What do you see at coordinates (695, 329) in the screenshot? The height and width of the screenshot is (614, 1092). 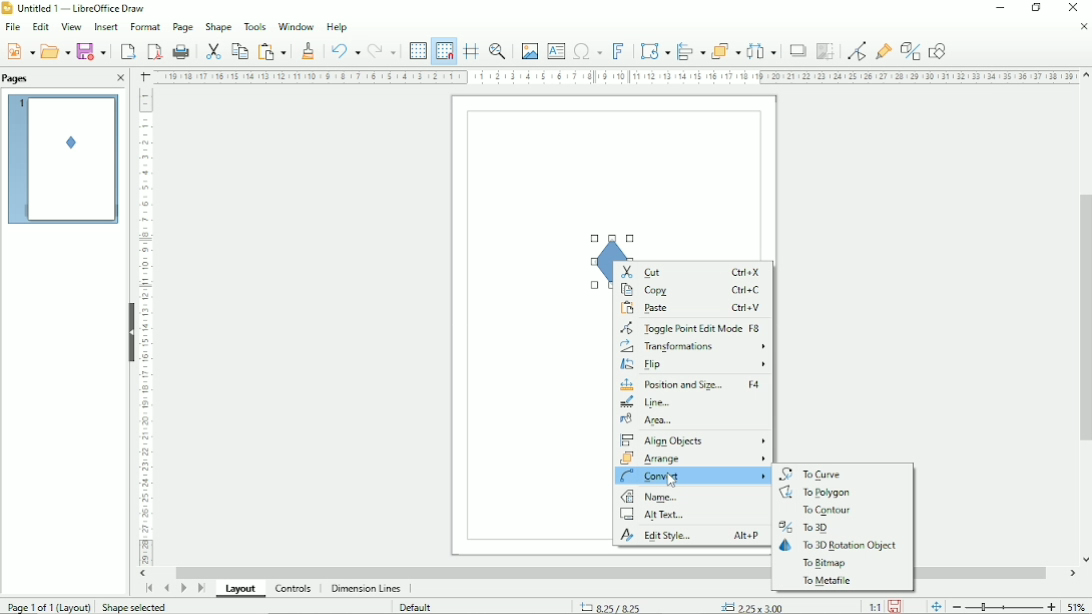 I see `Toggle point edit mode` at bounding box center [695, 329].